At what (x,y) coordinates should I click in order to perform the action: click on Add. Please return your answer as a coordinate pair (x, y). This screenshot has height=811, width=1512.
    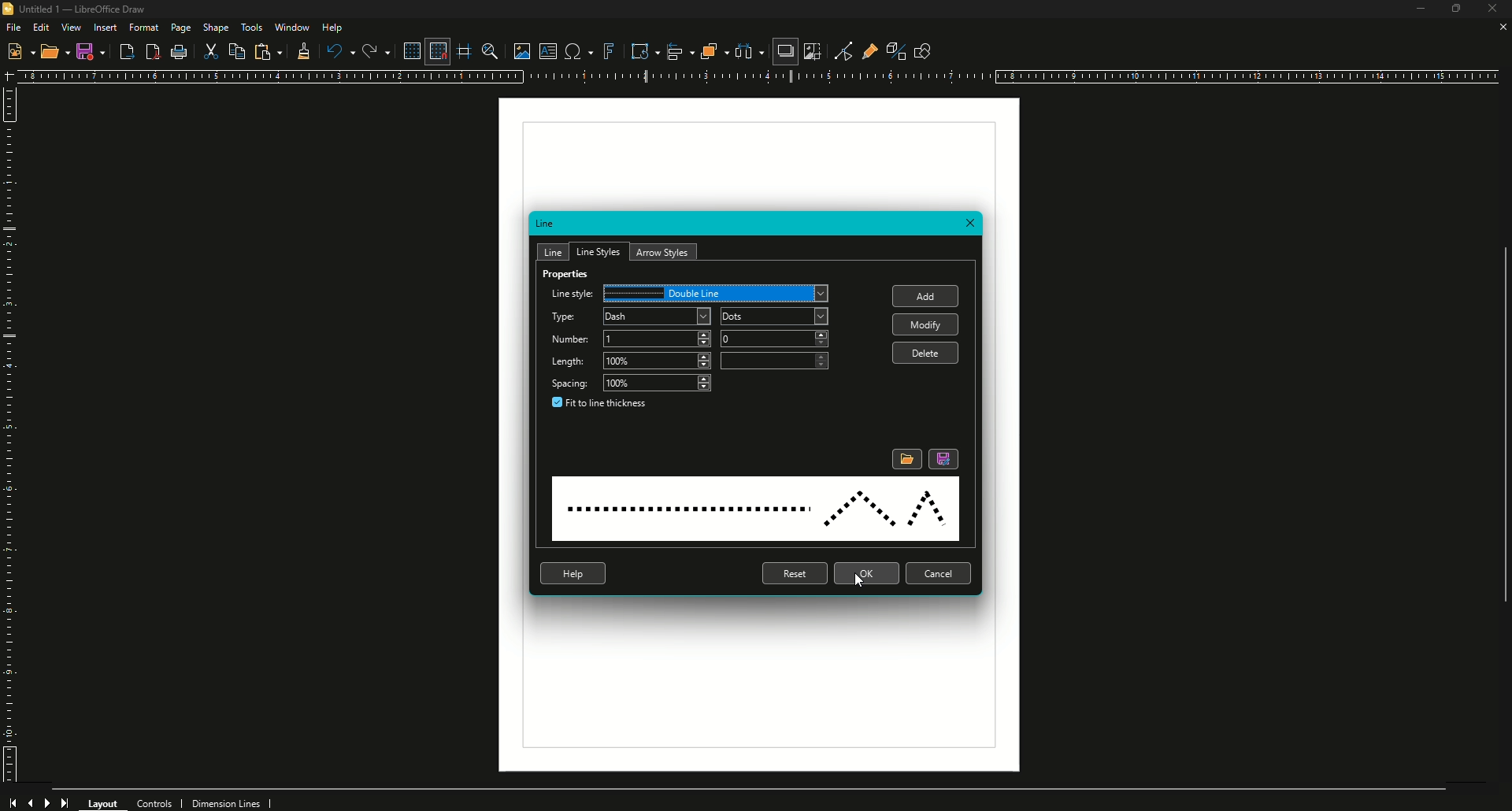
    Looking at the image, I should click on (929, 298).